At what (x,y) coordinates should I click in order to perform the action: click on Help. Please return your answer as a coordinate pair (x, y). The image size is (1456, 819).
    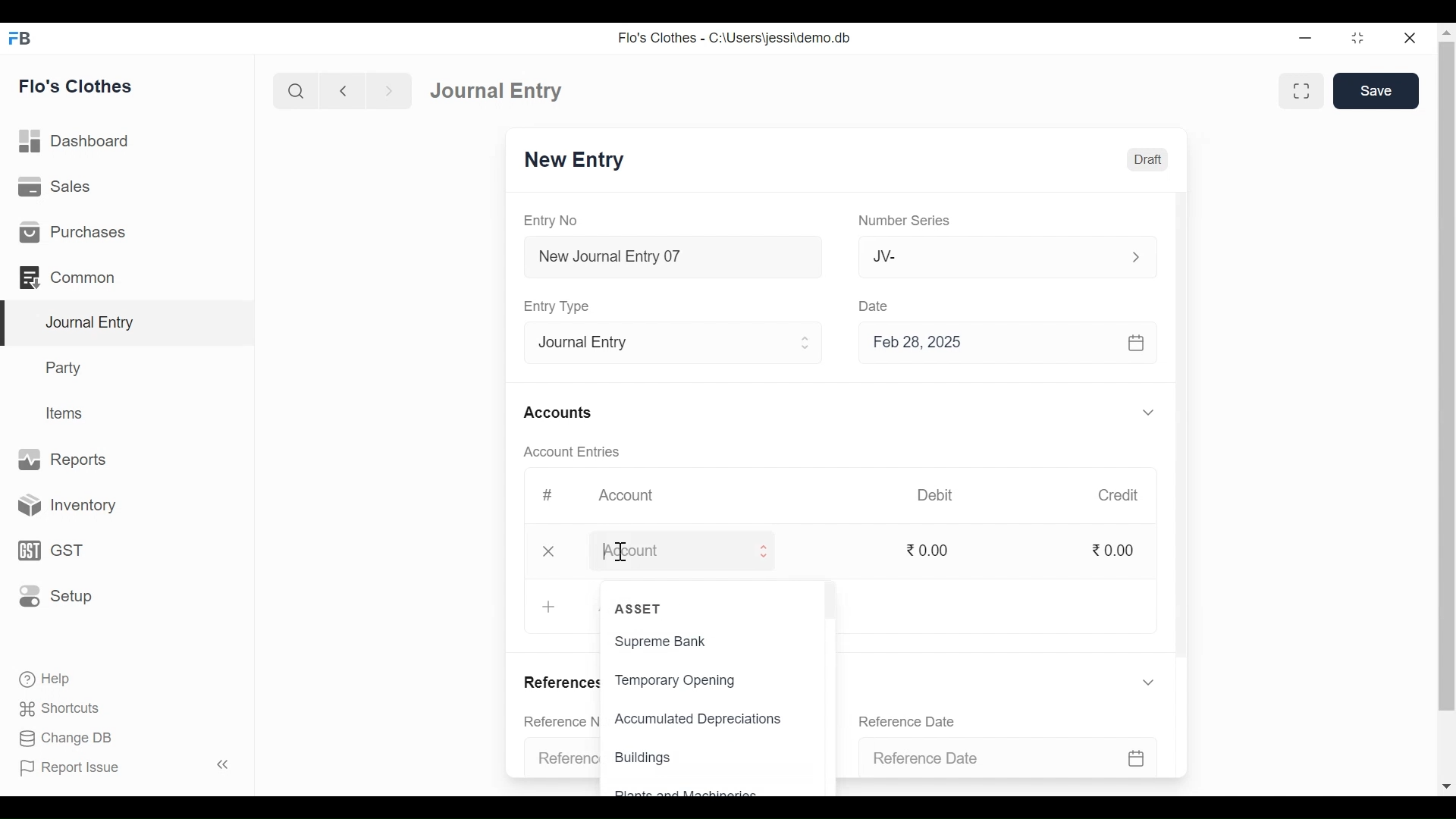
    Looking at the image, I should click on (43, 677).